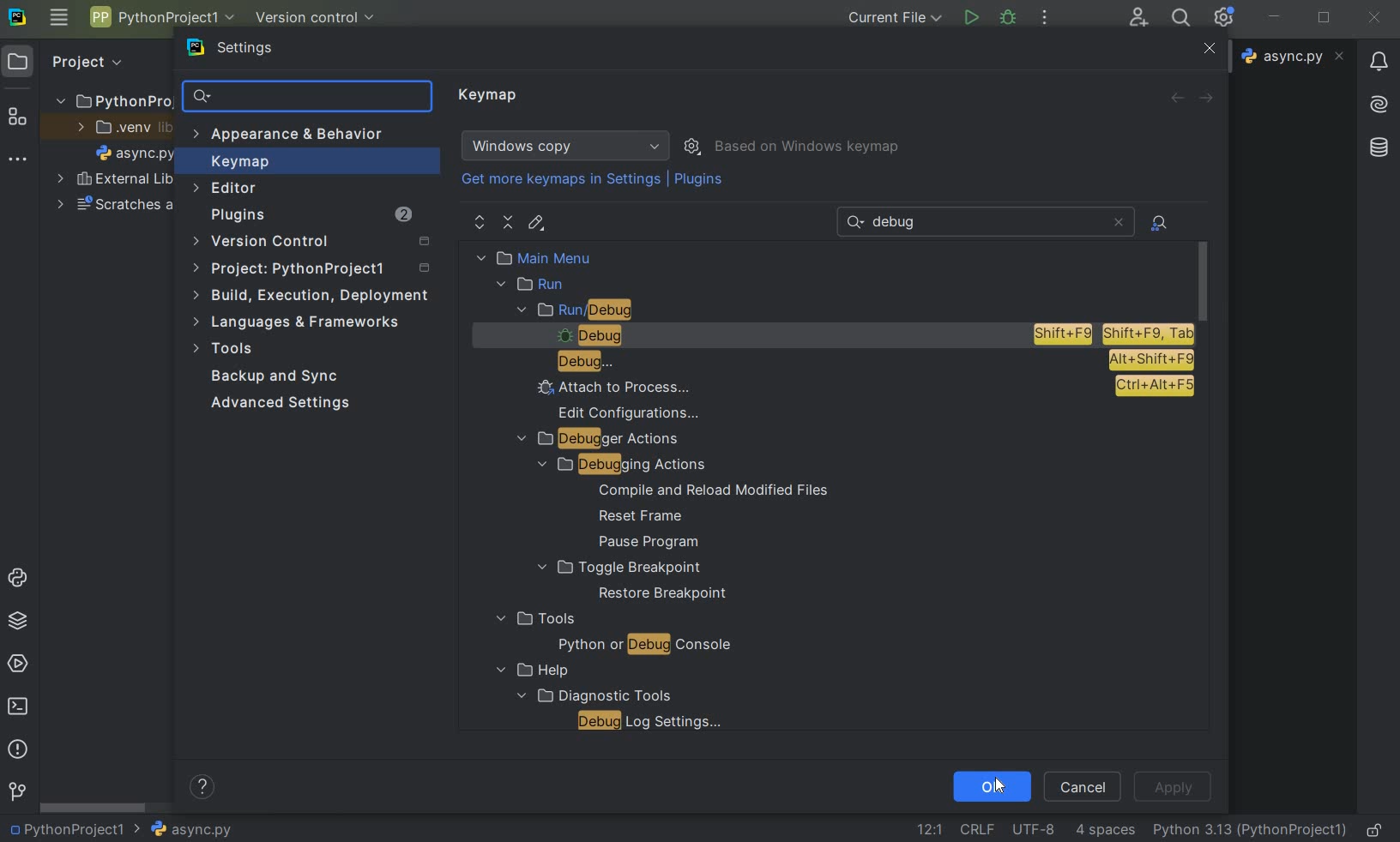  I want to click on line separator, so click(976, 830).